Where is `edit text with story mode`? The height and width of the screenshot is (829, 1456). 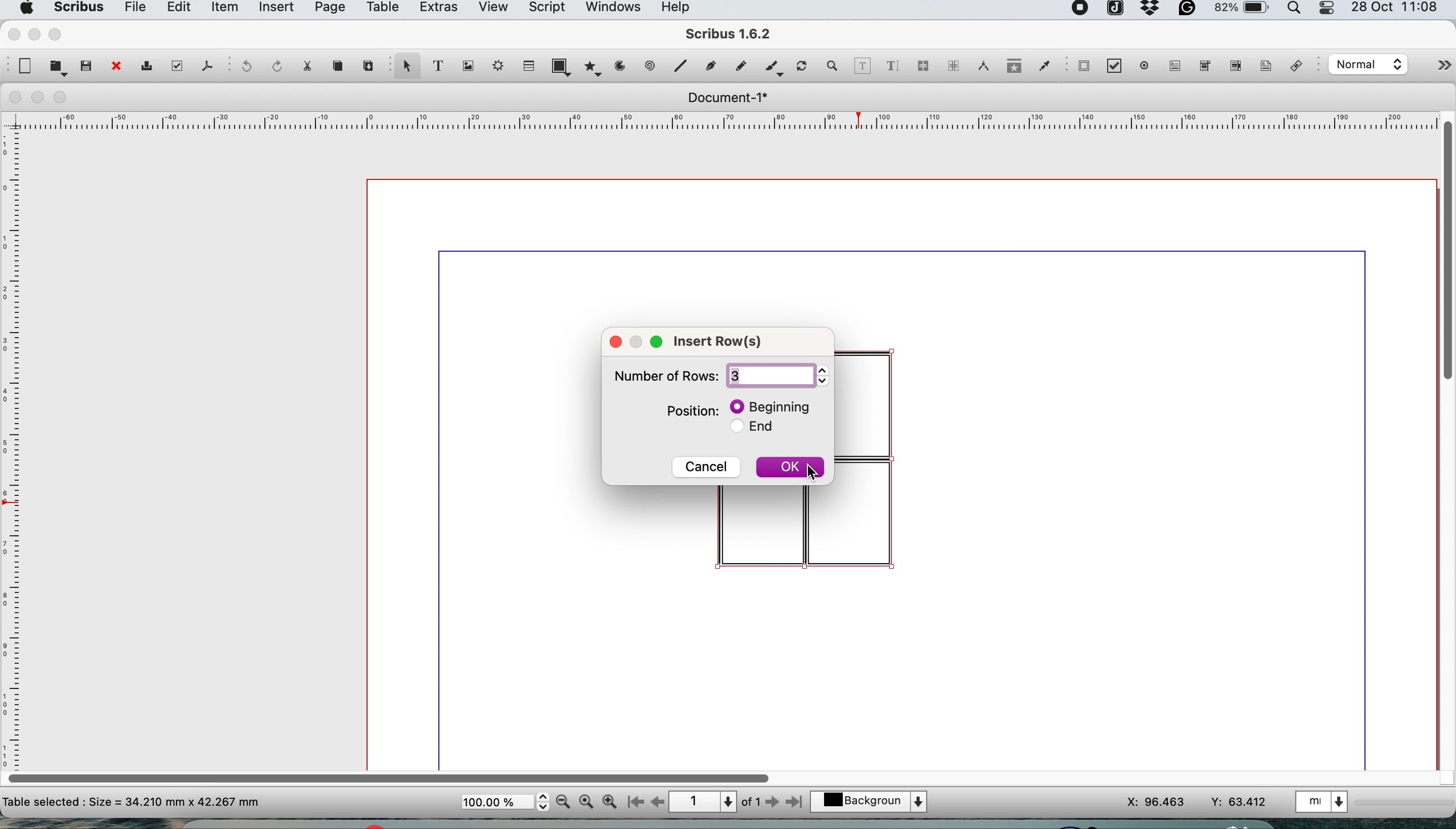 edit text with story mode is located at coordinates (892, 67).